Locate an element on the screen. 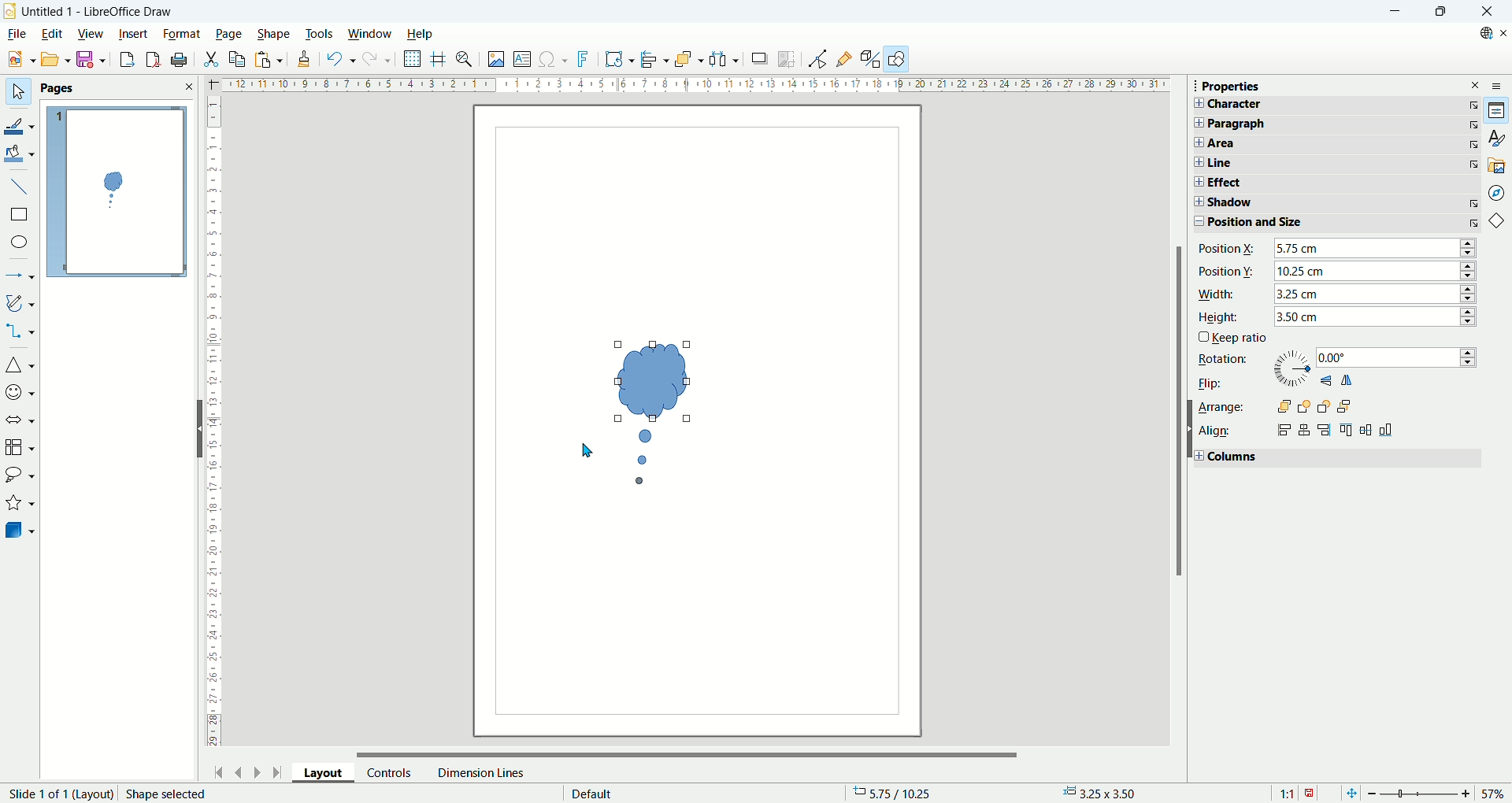 This screenshot has width=1512, height=803. Search on web is located at coordinates (1480, 33).